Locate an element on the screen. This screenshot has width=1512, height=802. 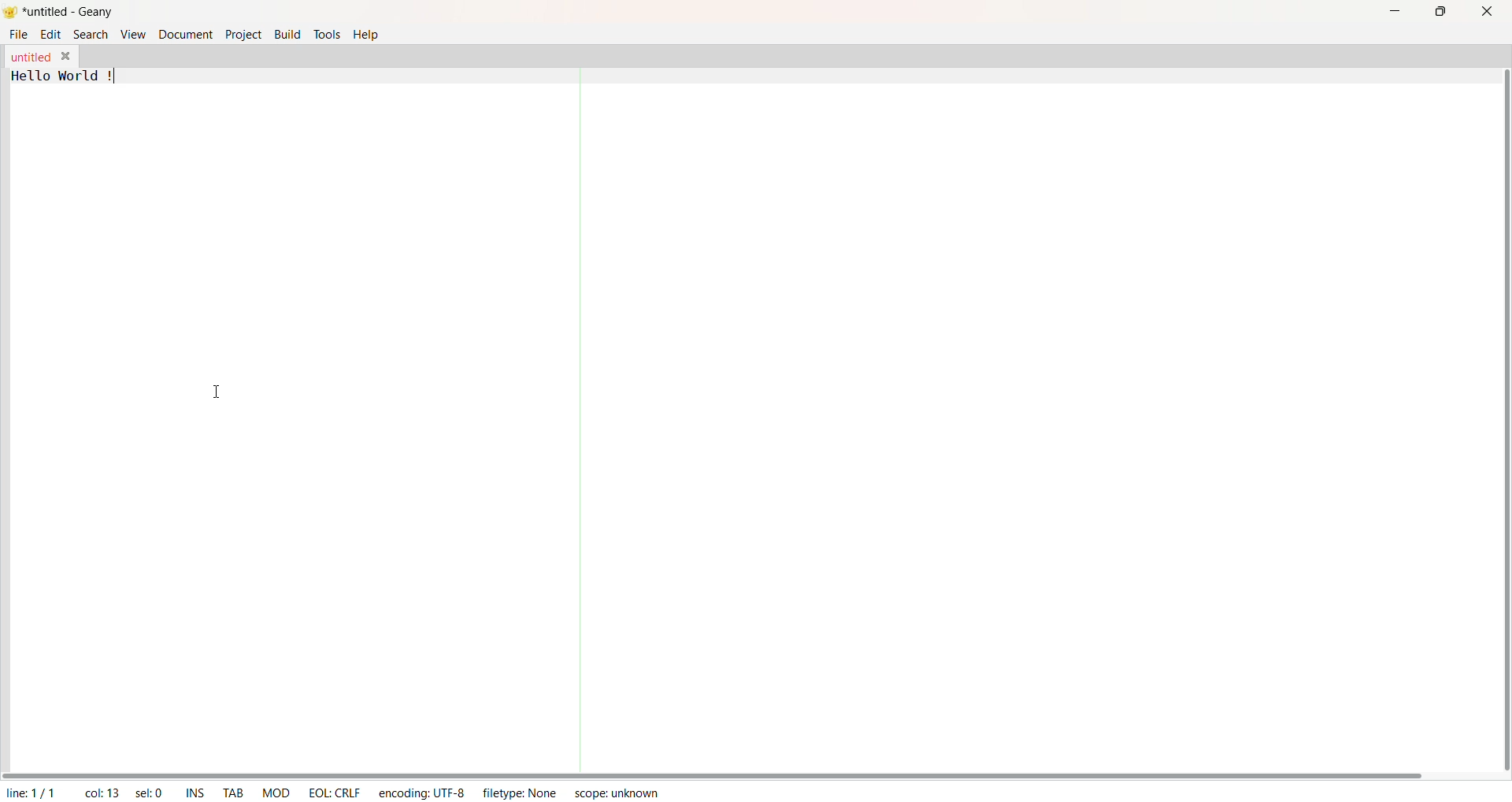
Help is located at coordinates (368, 34).